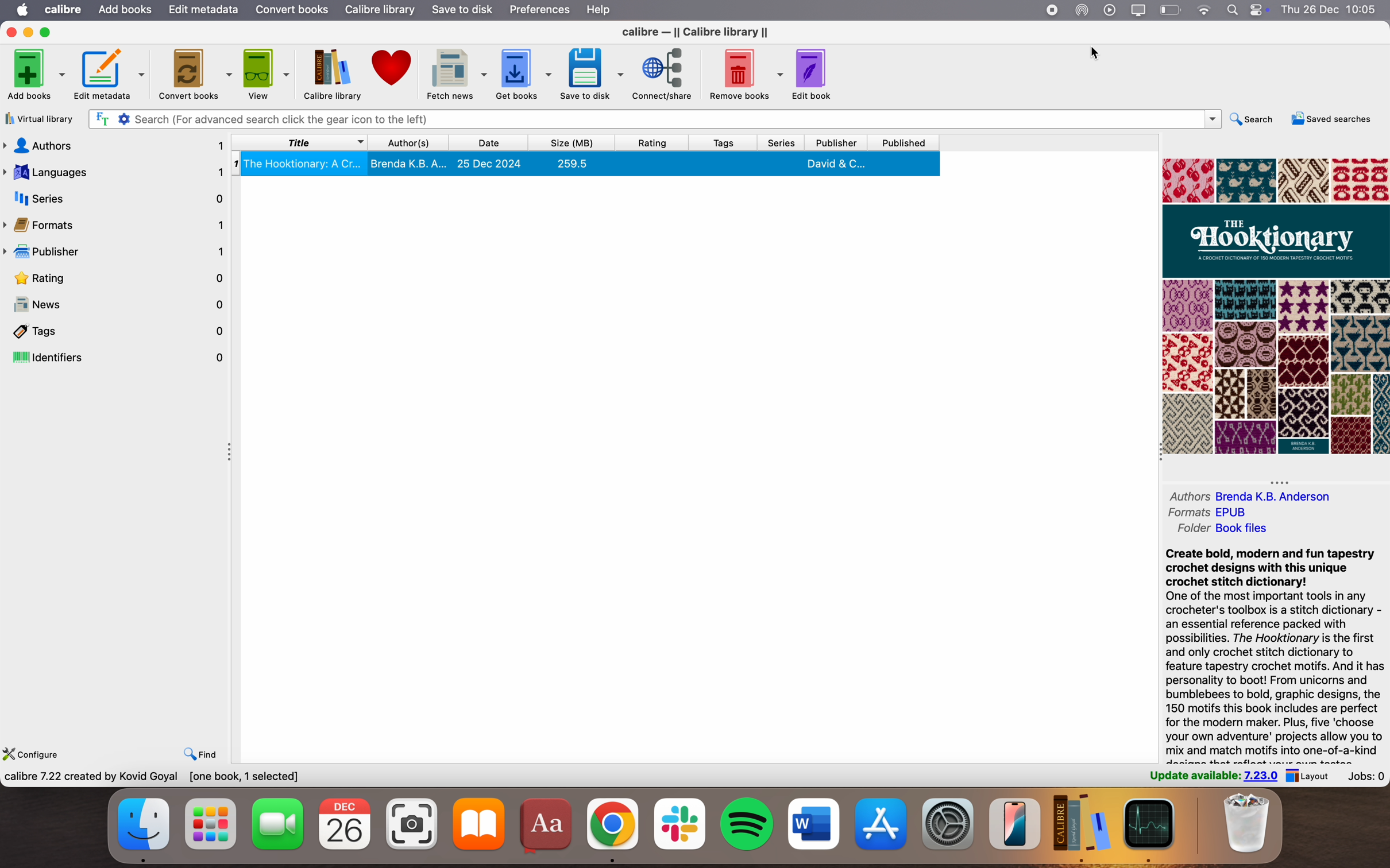 This screenshot has height=868, width=1390. What do you see at coordinates (110, 73) in the screenshot?
I see `edit metadata` at bounding box center [110, 73].